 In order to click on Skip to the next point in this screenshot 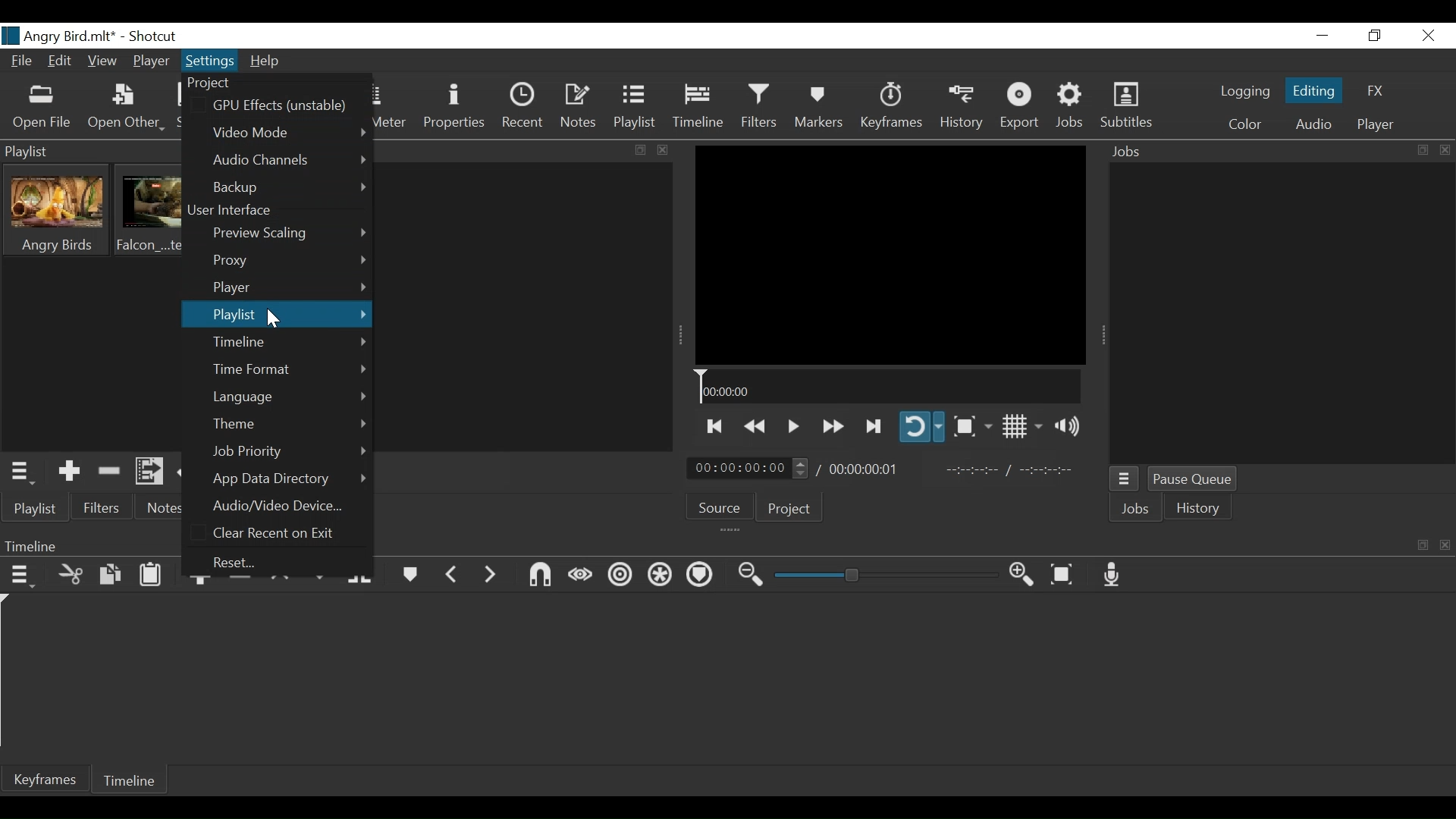, I will do `click(714, 427)`.